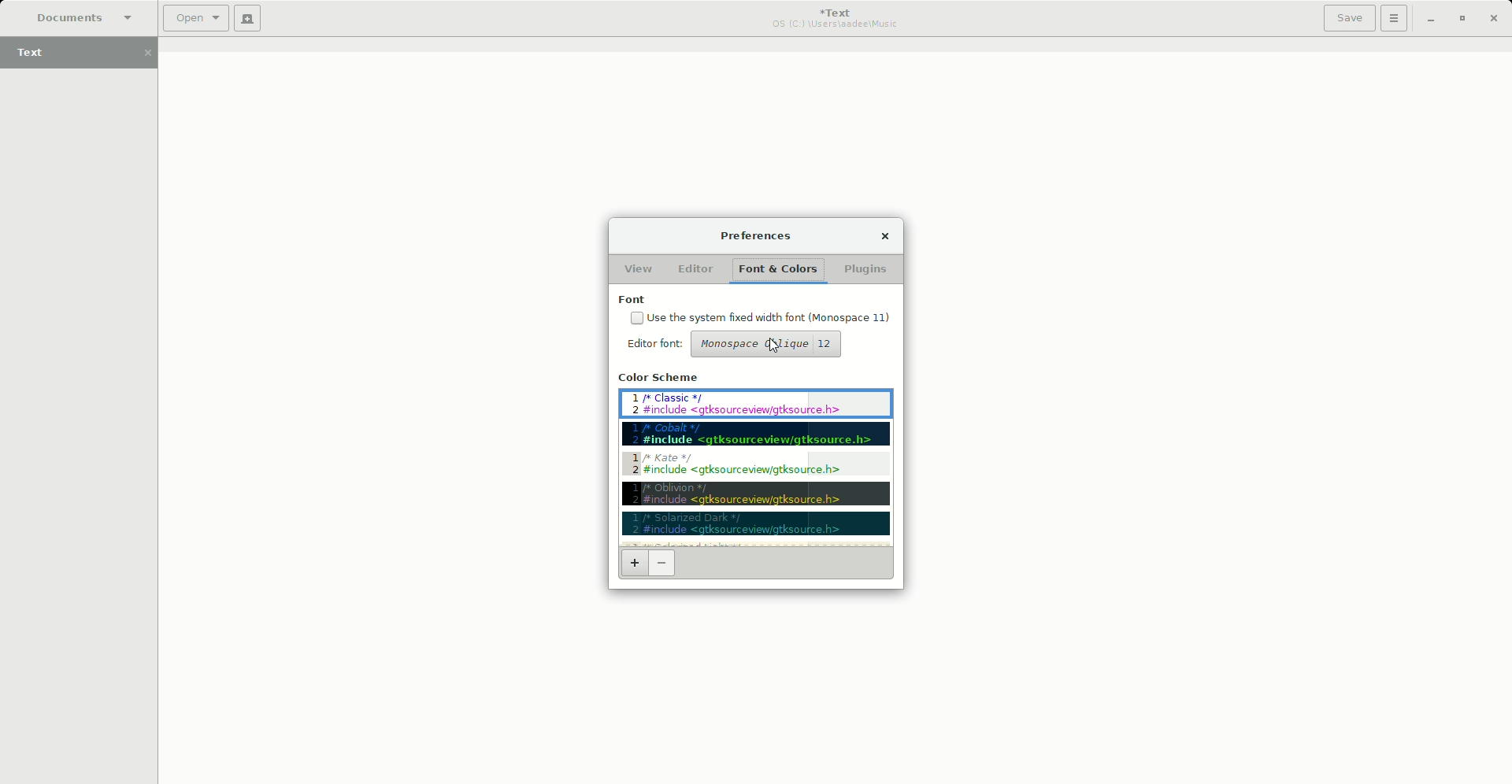  I want to click on Options, so click(1395, 18).